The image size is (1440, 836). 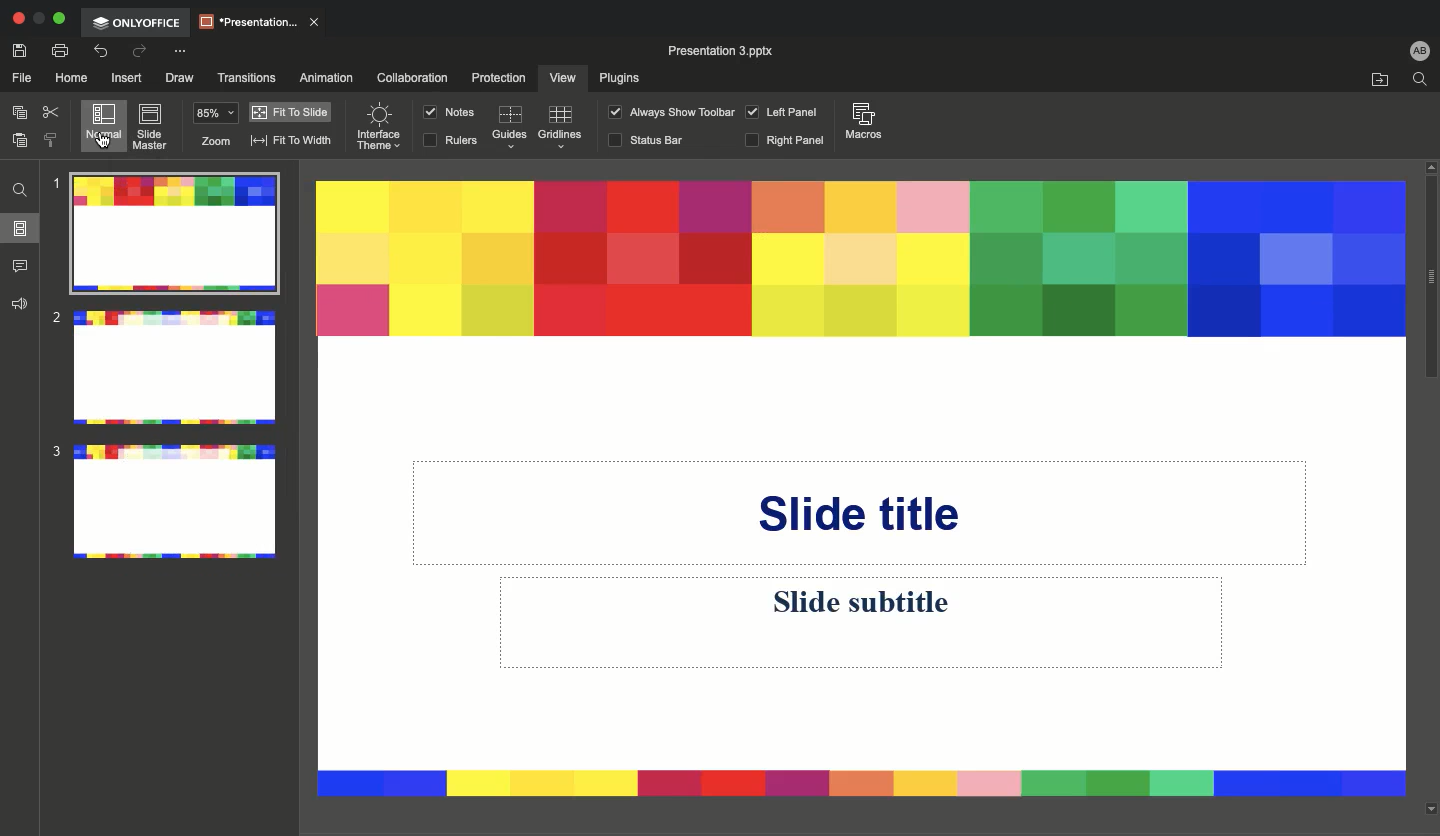 I want to click on RULERS, so click(x=450, y=142).